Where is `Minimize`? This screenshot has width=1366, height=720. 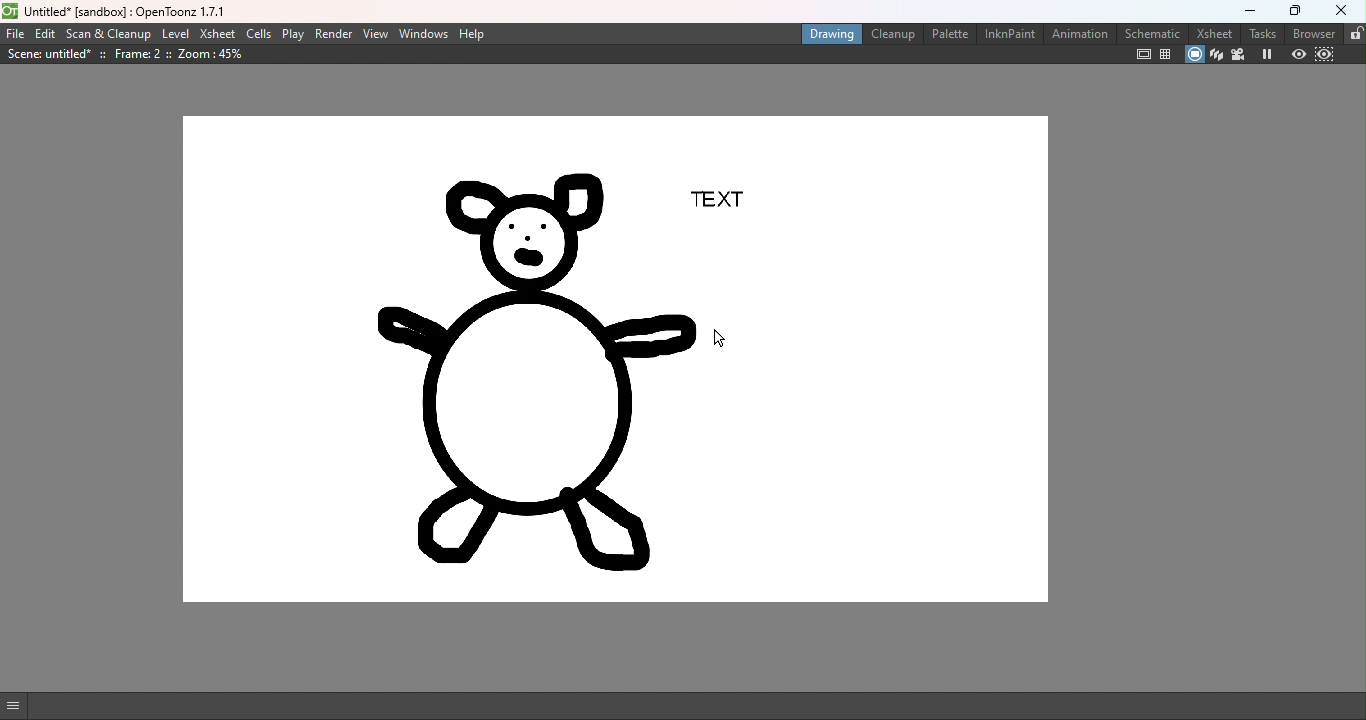
Minimize is located at coordinates (1250, 9).